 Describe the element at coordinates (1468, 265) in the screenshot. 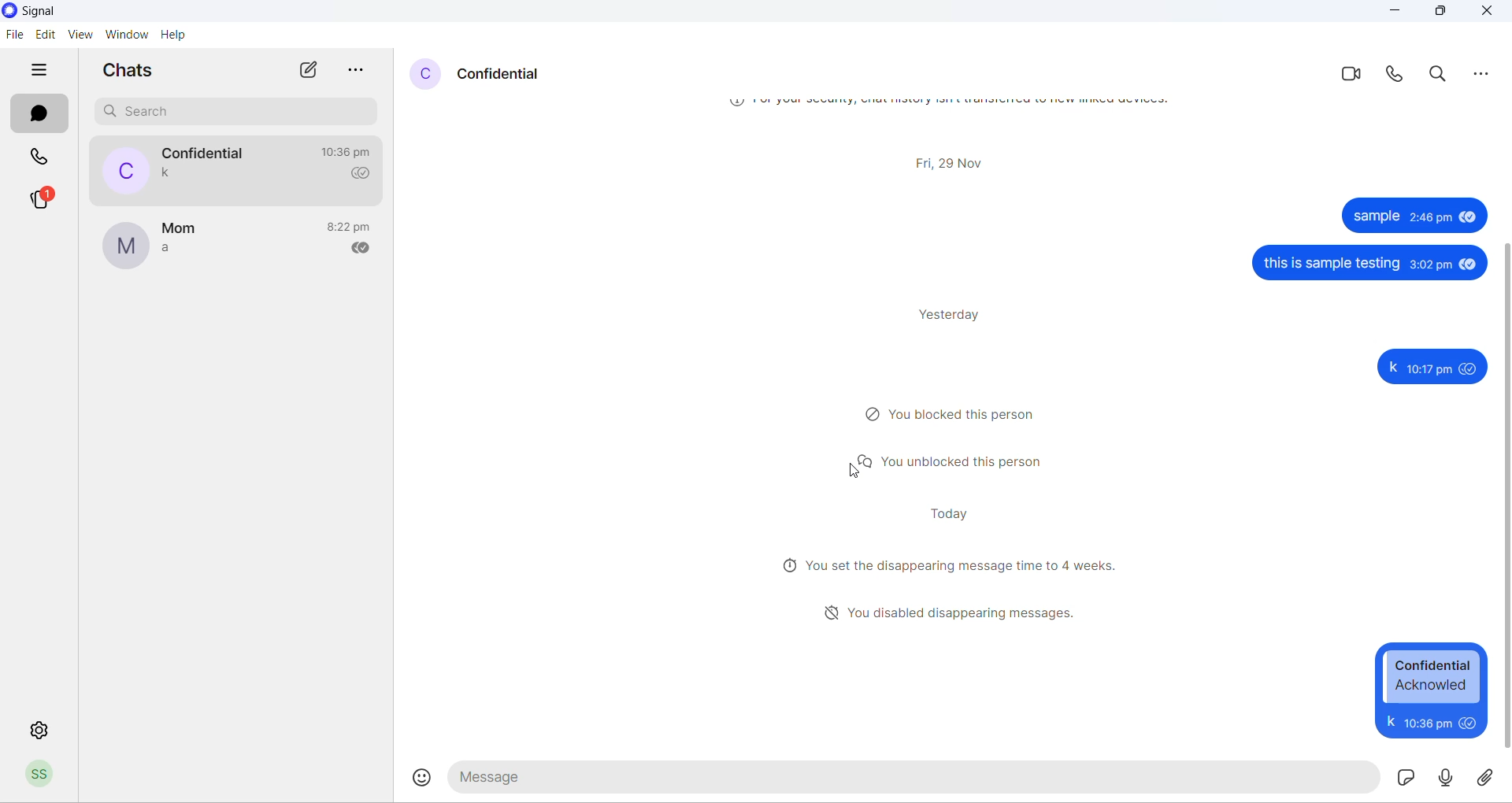

I see `seen` at that location.